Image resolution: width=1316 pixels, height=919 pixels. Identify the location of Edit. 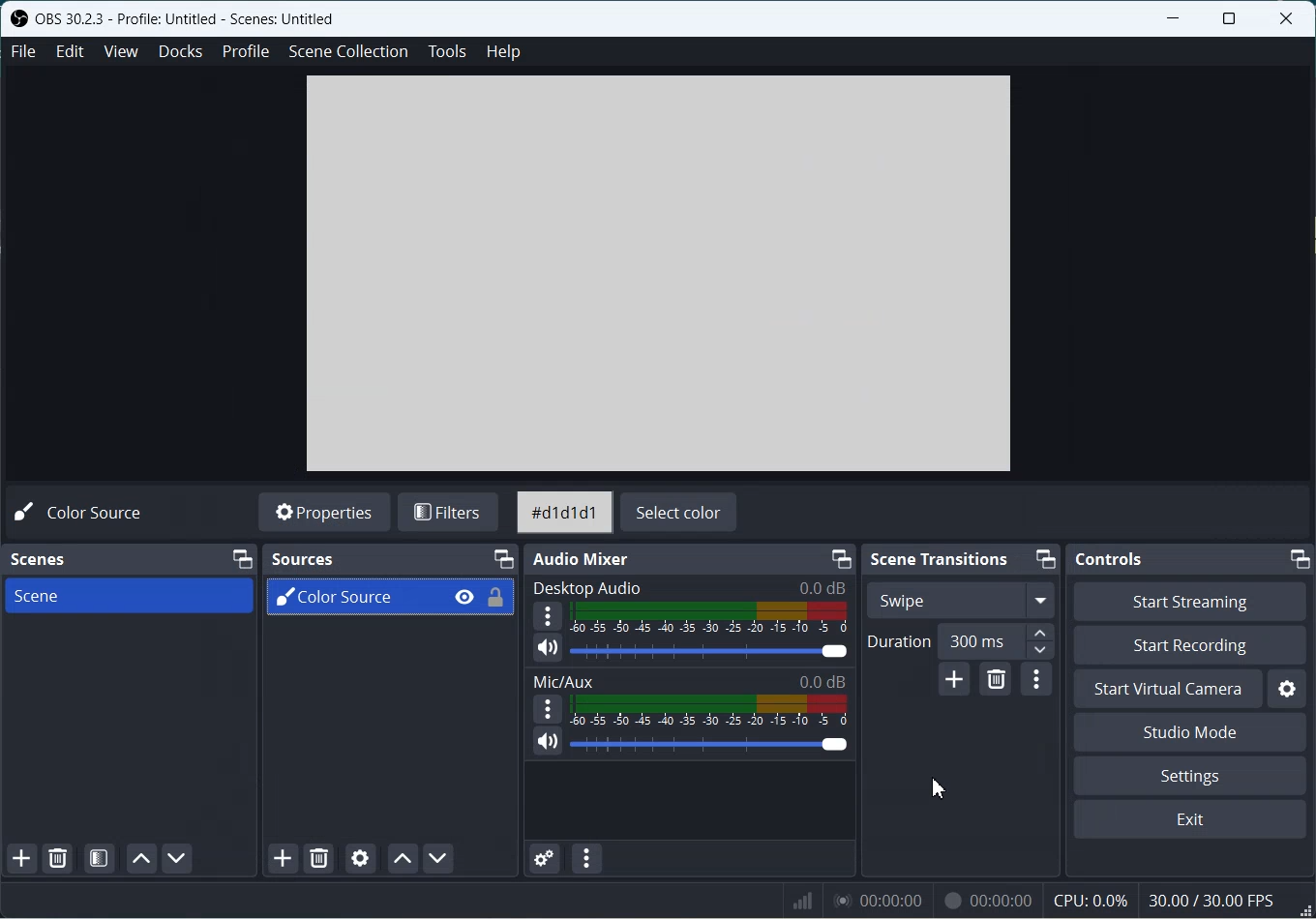
(70, 50).